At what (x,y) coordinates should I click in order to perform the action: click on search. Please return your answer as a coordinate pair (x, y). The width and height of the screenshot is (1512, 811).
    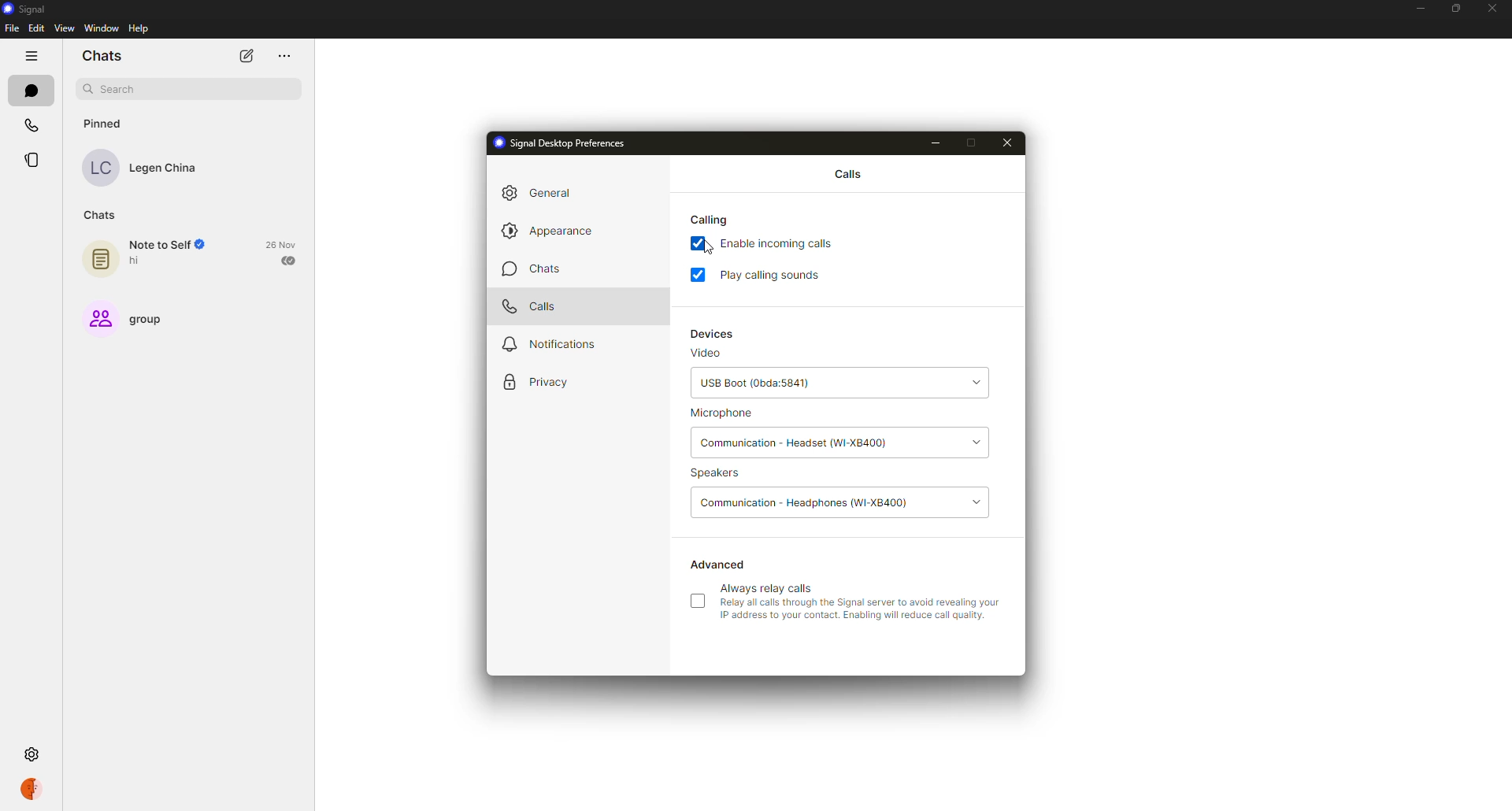
    Looking at the image, I should click on (112, 89).